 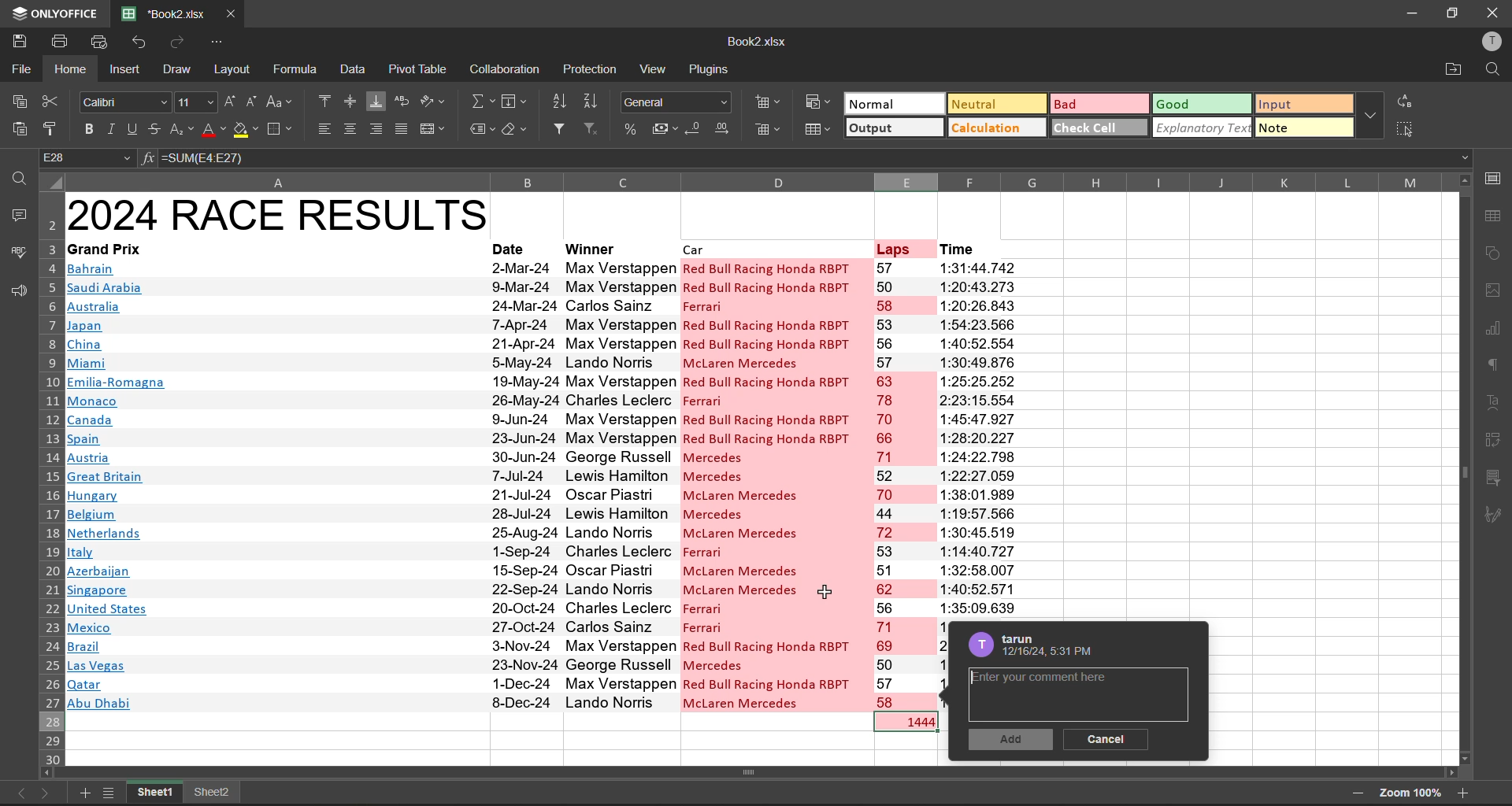 I want to click on align middle, so click(x=349, y=101).